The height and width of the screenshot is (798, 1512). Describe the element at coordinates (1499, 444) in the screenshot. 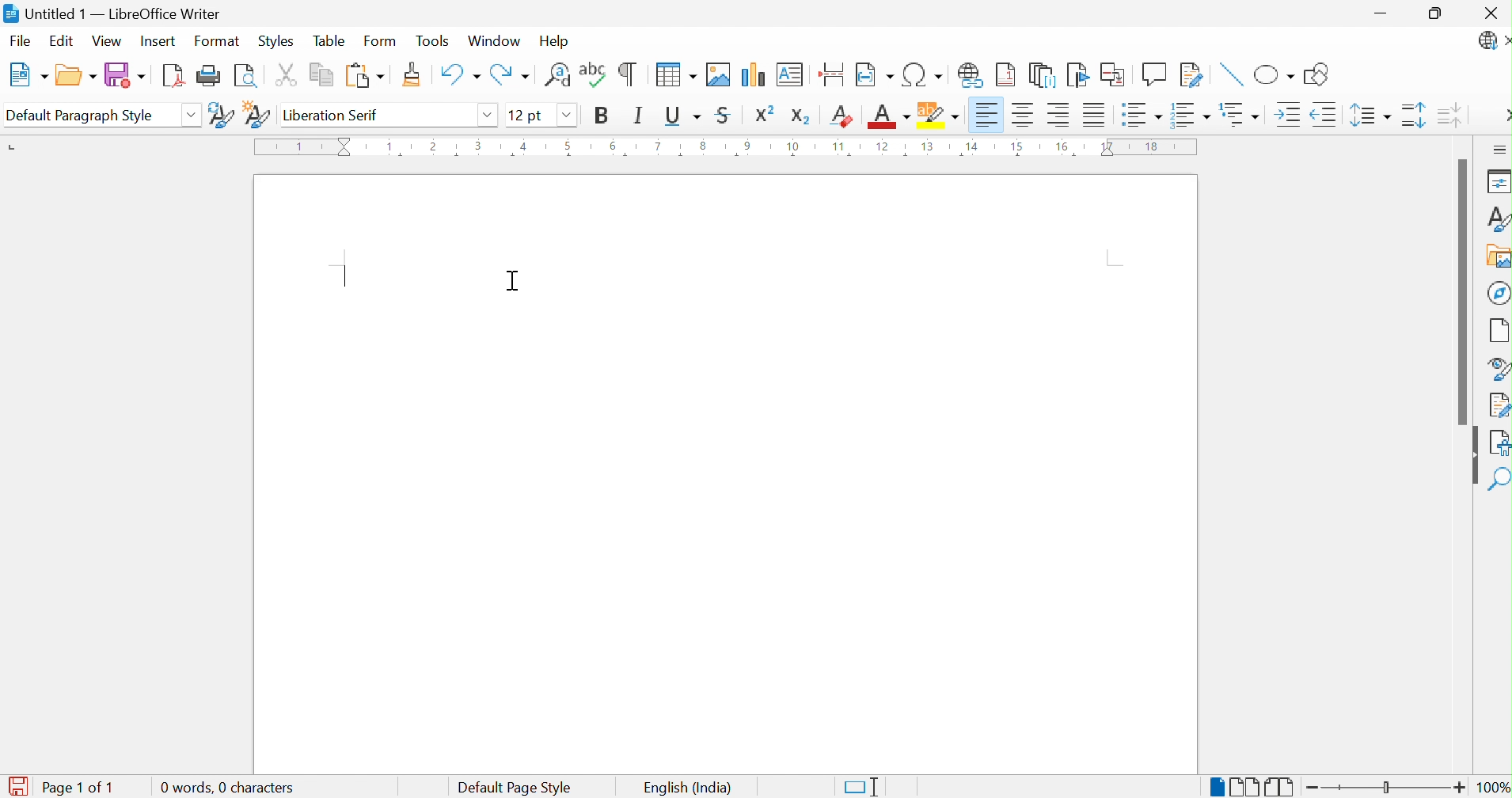

I see `Accessibility Check` at that location.